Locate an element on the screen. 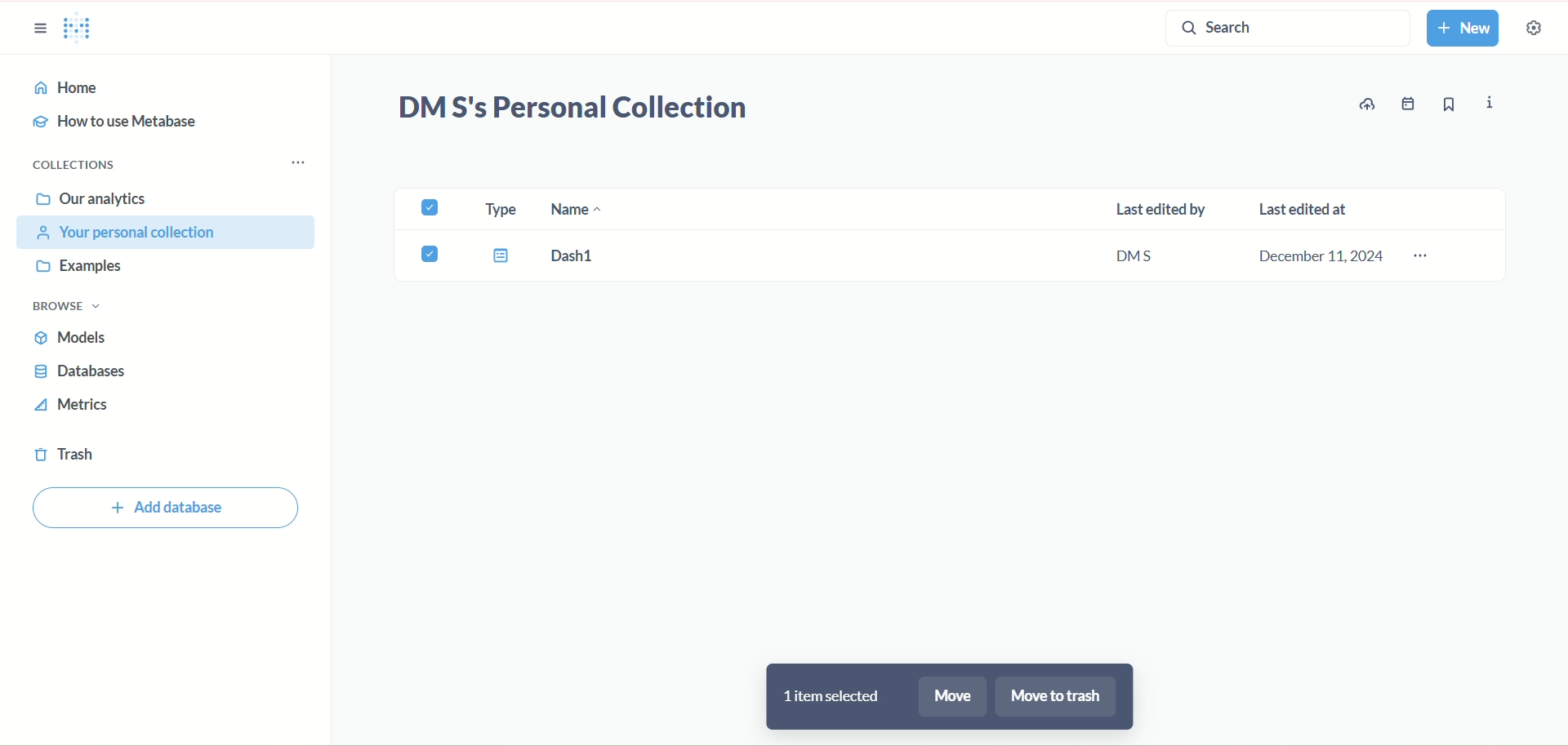 This screenshot has height=746, width=1568. Type icon is located at coordinates (497, 255).